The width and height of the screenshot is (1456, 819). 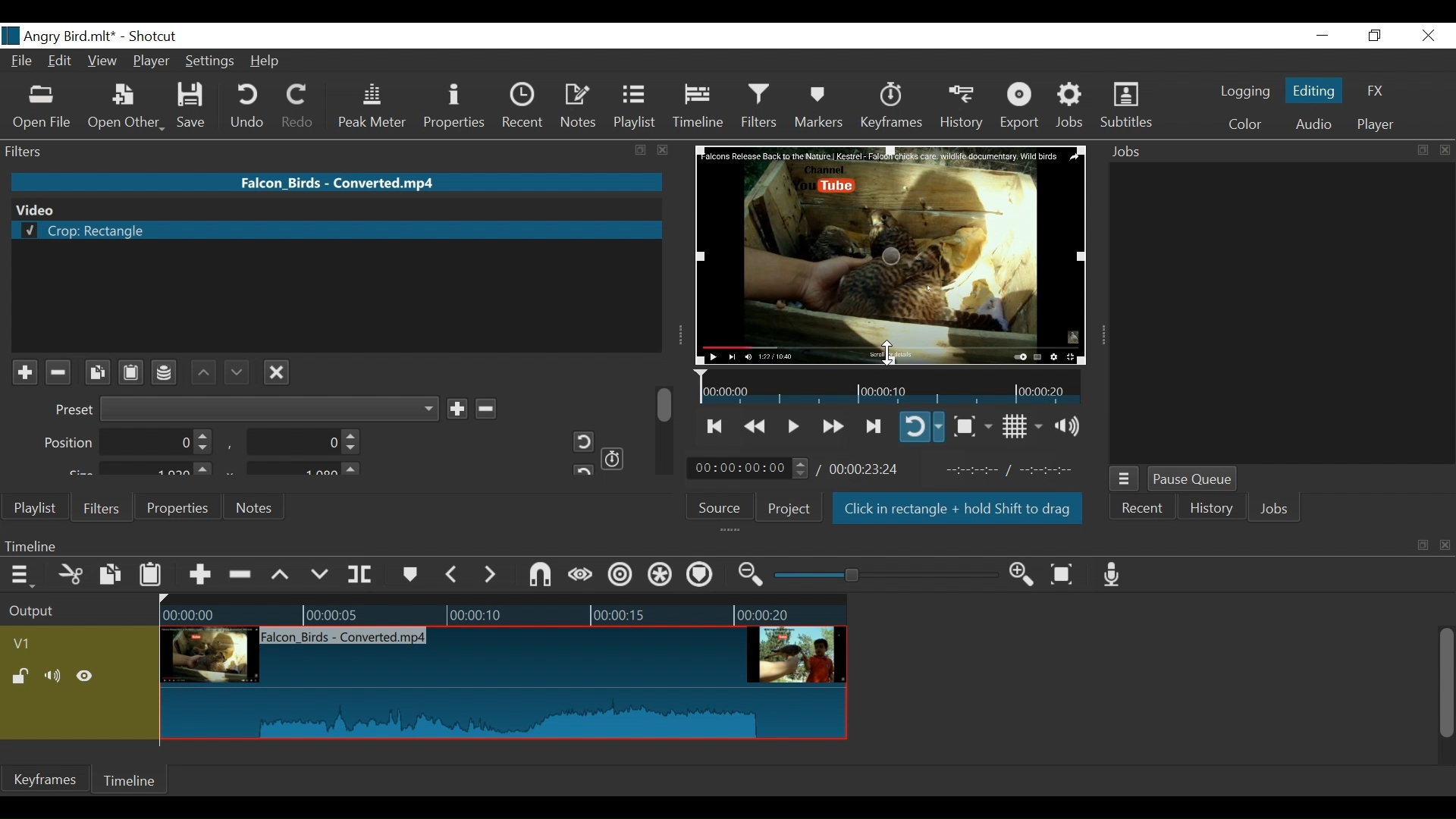 What do you see at coordinates (753, 575) in the screenshot?
I see `Zoom timeline out` at bounding box center [753, 575].